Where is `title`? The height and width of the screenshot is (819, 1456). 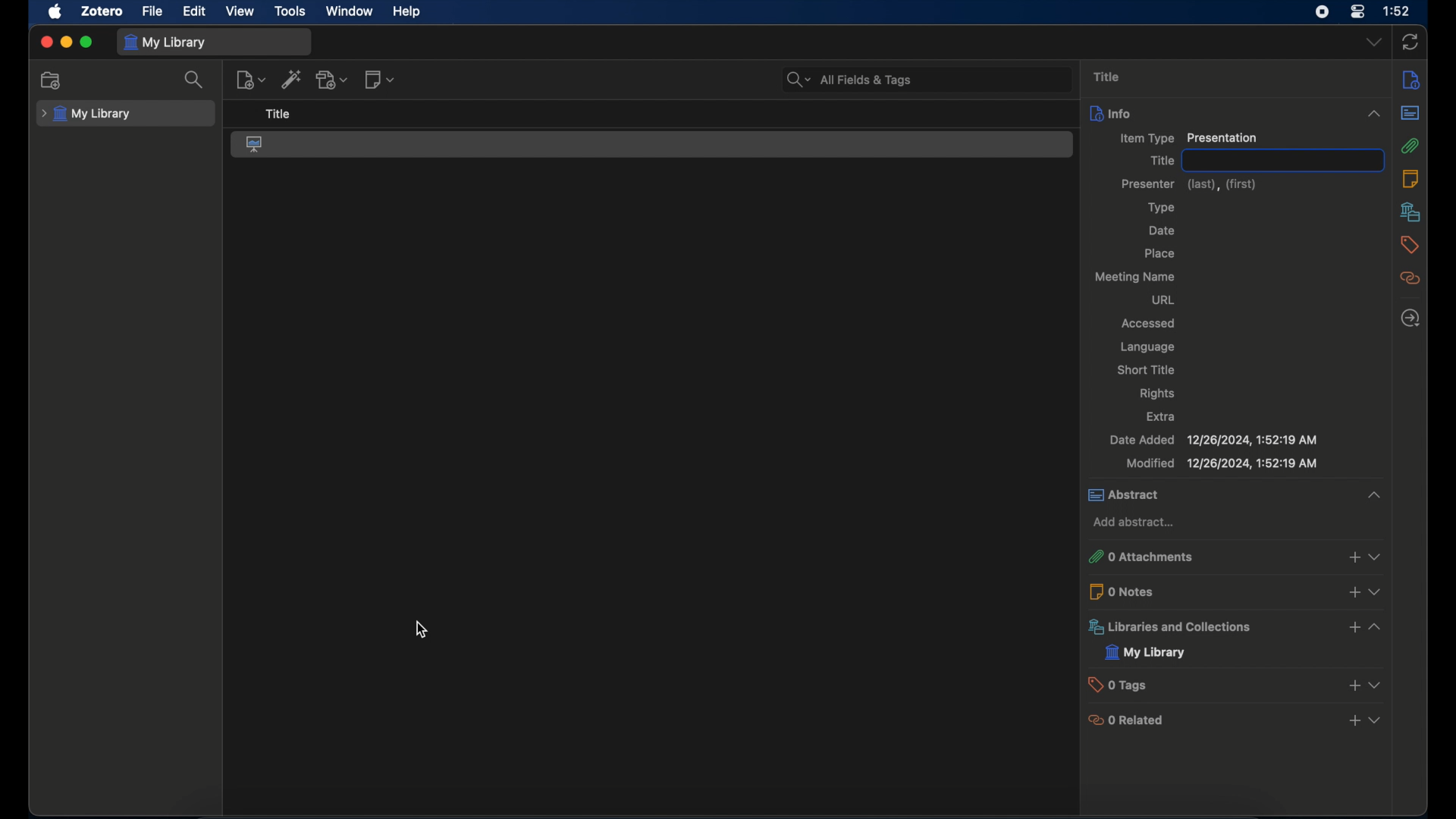
title is located at coordinates (277, 115).